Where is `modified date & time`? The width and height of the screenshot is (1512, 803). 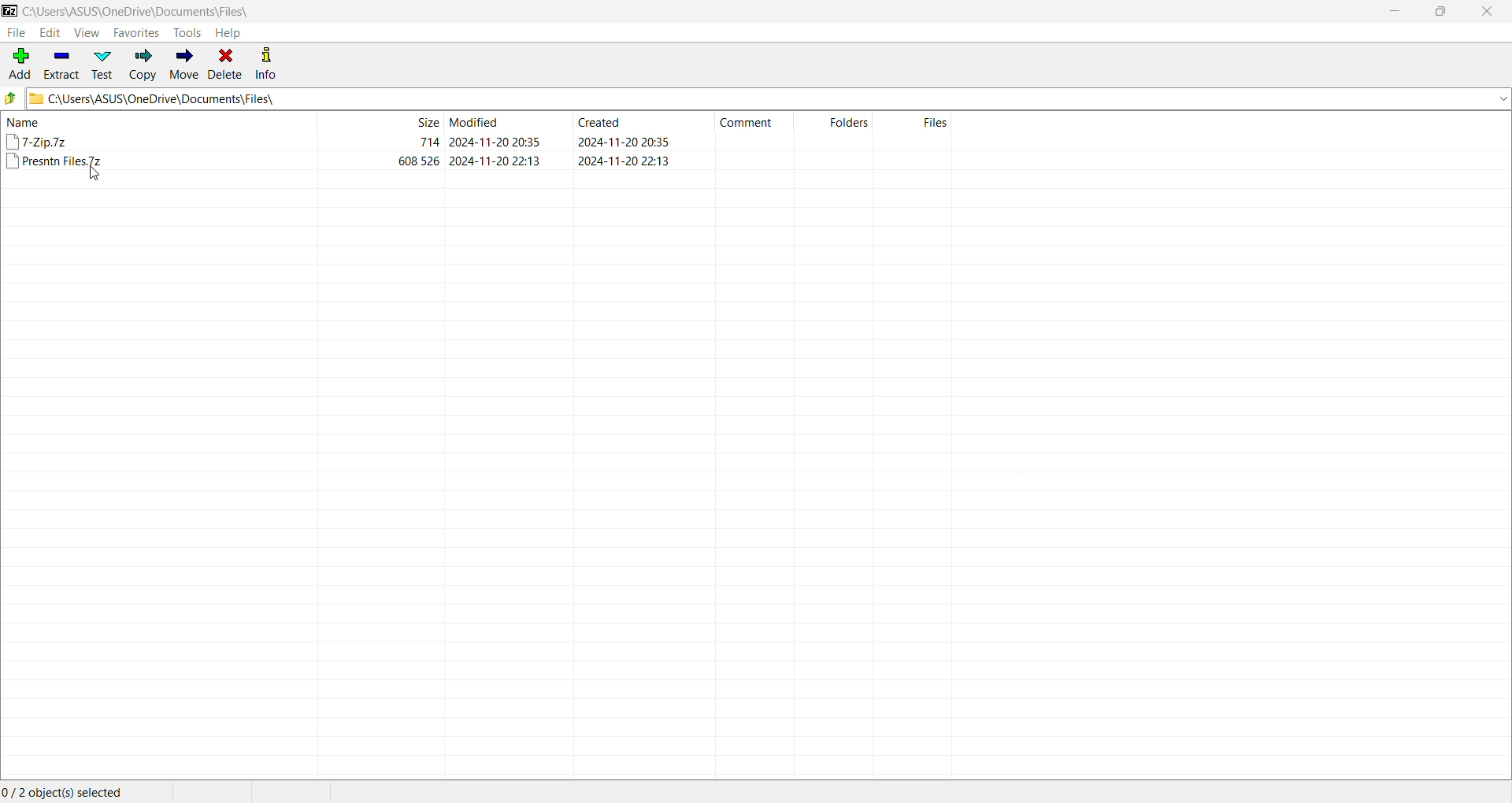
modified date & time is located at coordinates (495, 161).